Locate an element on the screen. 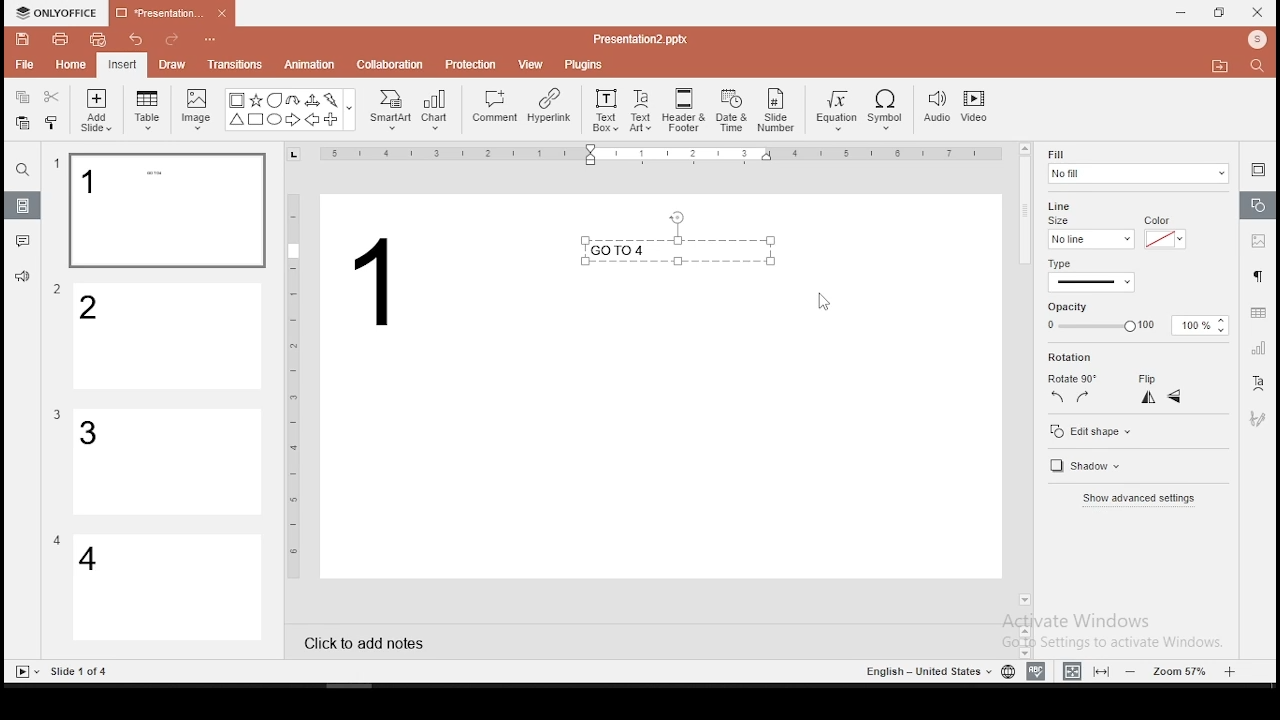 The width and height of the screenshot is (1280, 720). show advanced settings is located at coordinates (1141, 505).